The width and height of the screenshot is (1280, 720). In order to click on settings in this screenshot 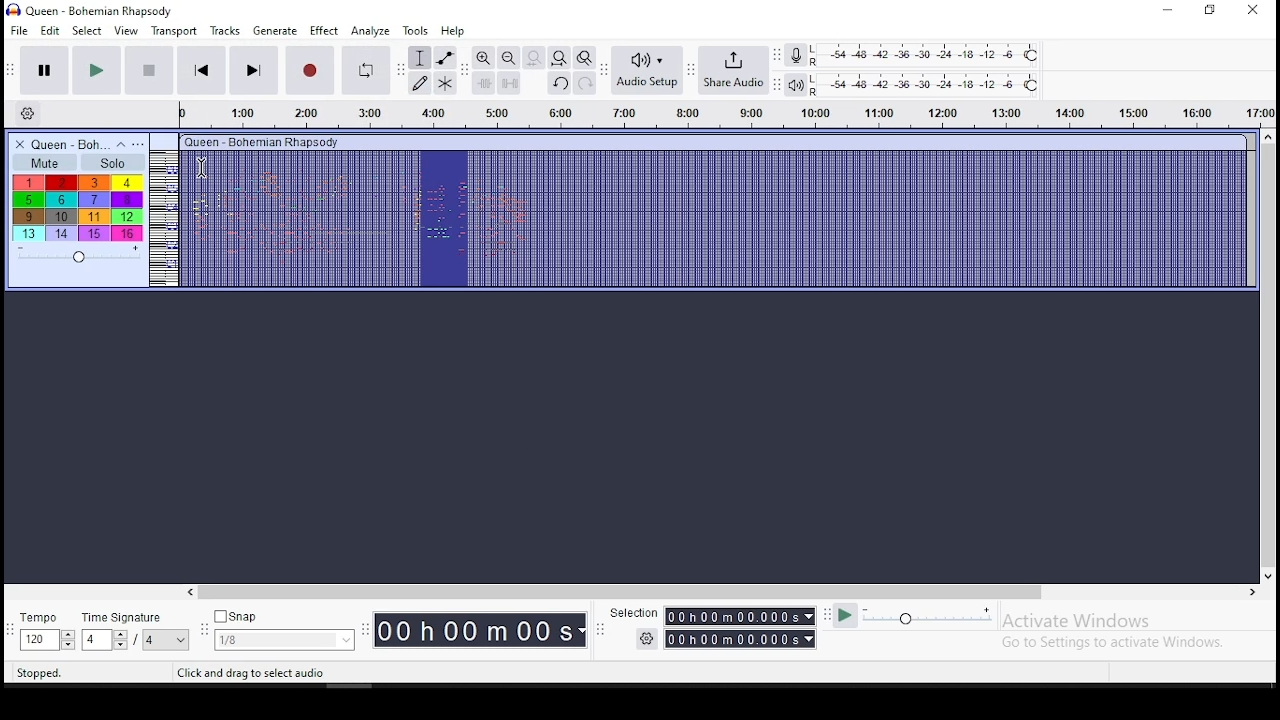, I will do `click(28, 114)`.